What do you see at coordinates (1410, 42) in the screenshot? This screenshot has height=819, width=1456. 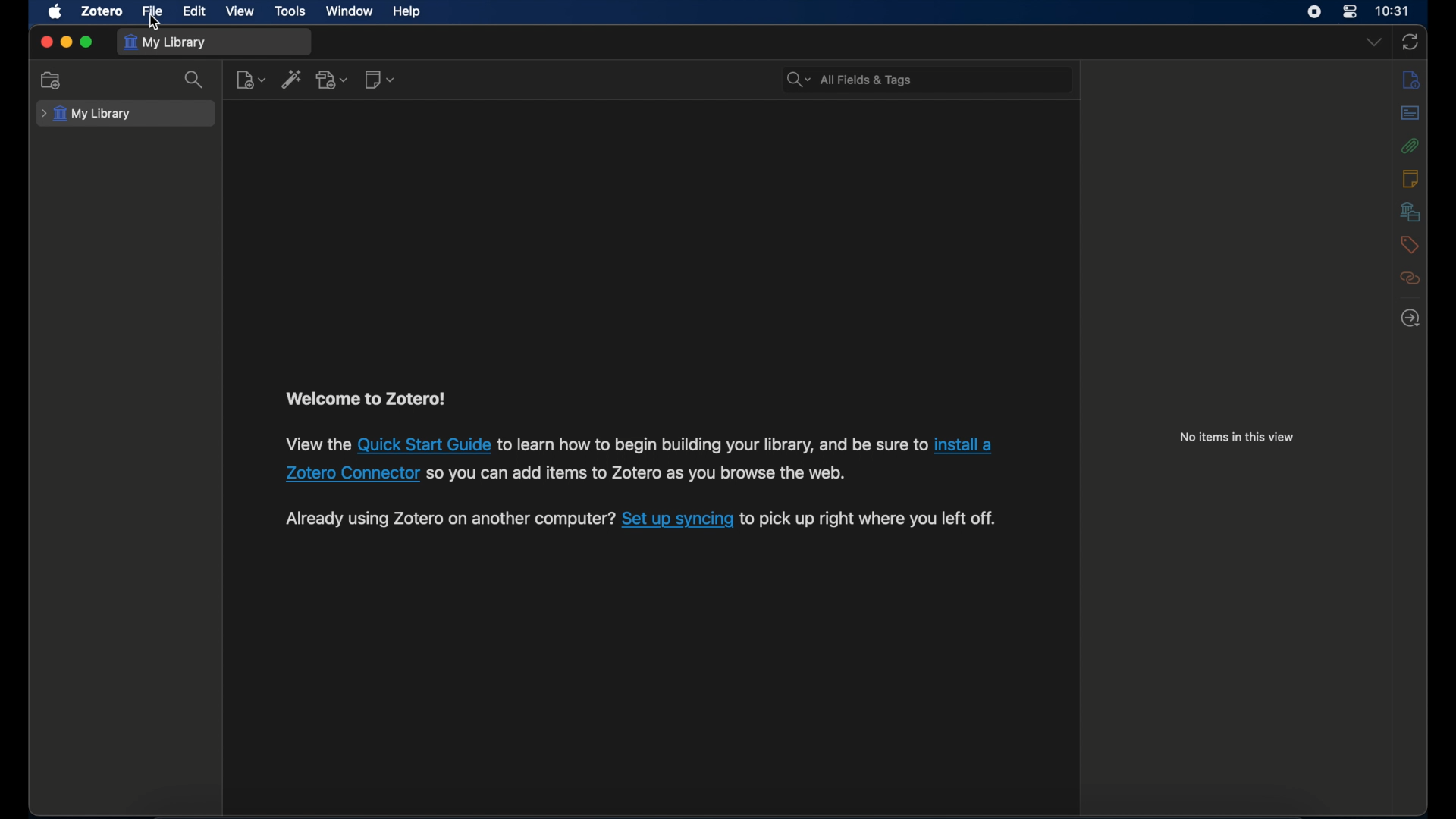 I see `sync` at bounding box center [1410, 42].